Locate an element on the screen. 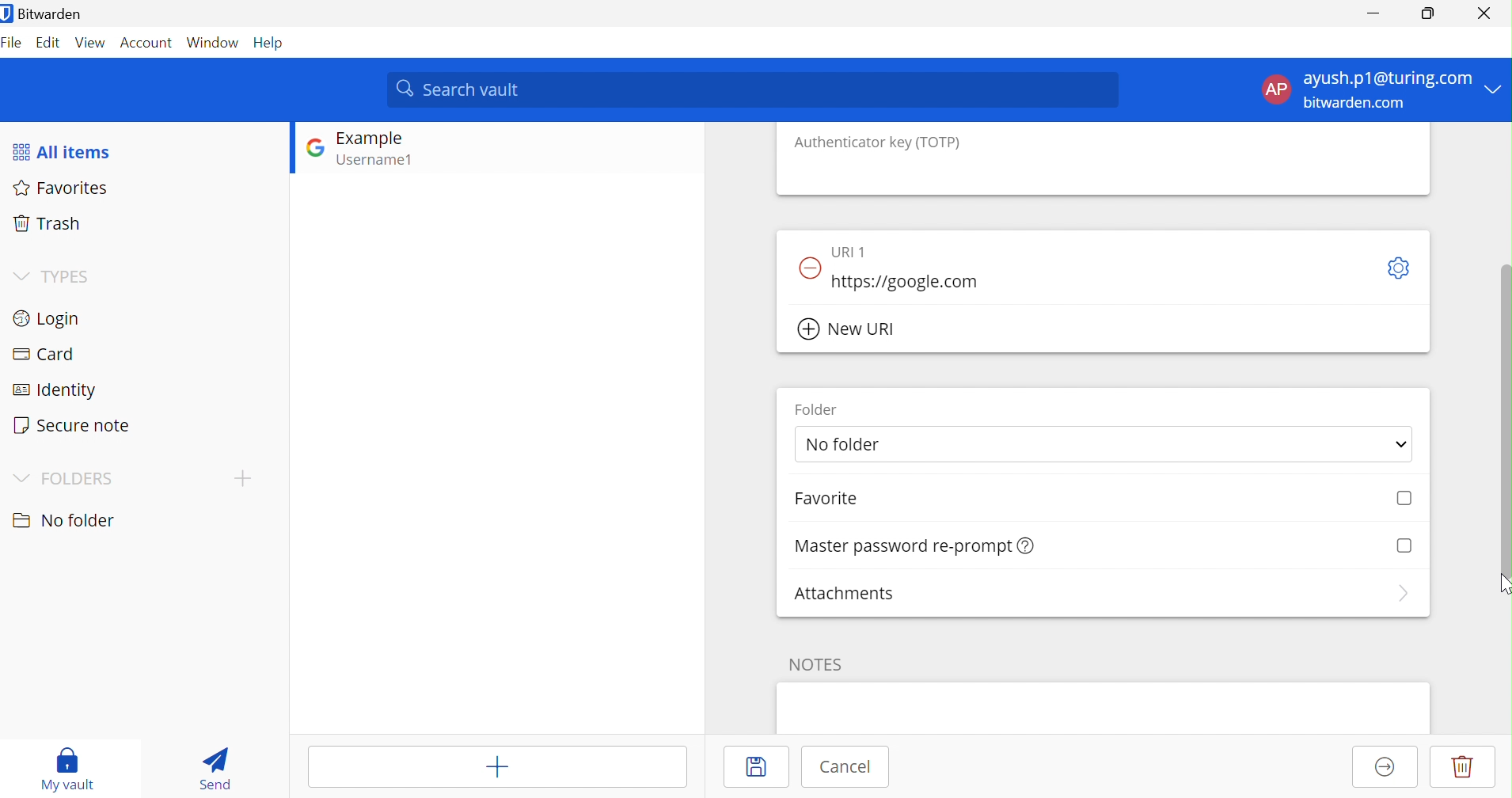 This screenshot has width=1512, height=798. Cursor is located at coordinates (1502, 585).